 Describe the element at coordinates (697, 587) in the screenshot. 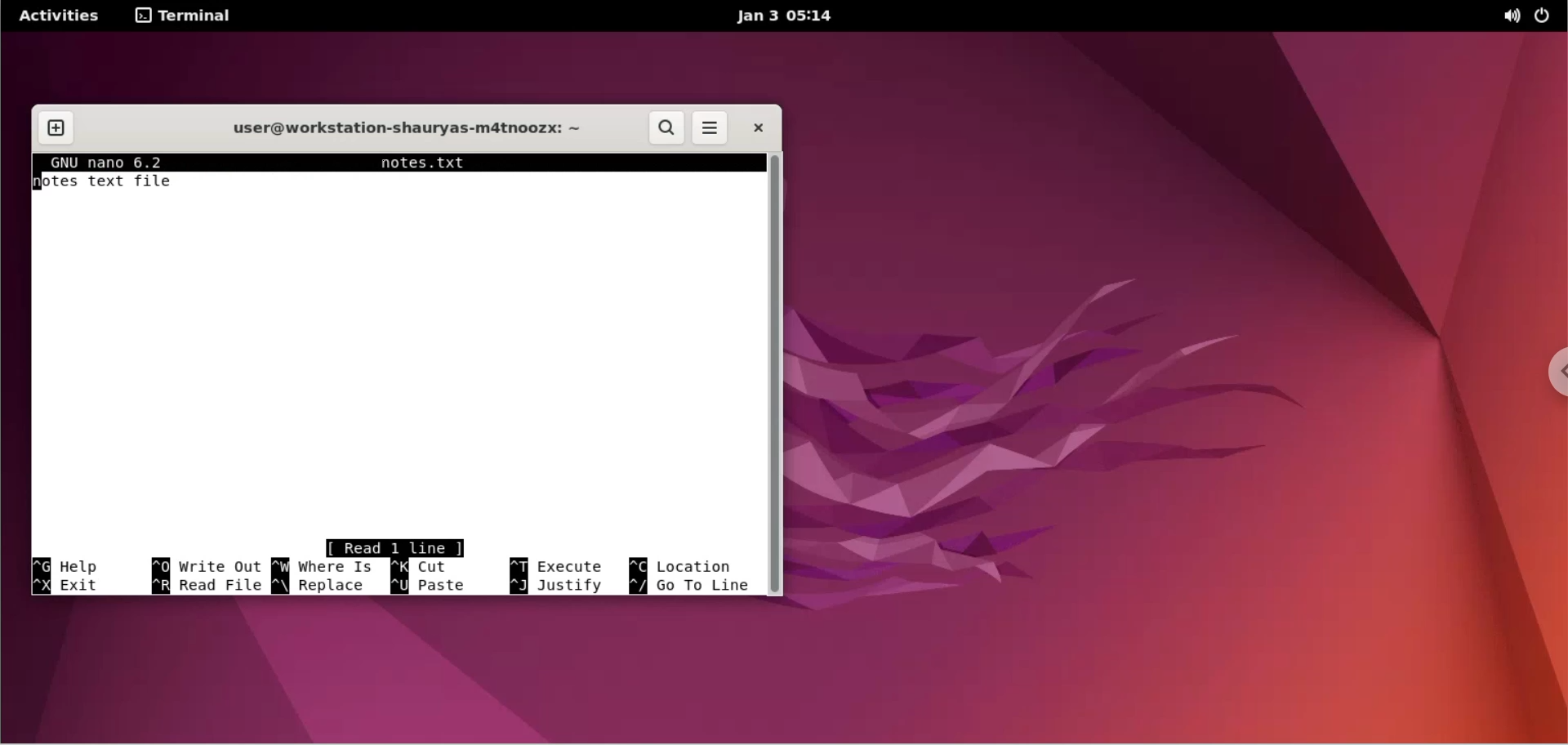

I see `^/ go to line` at that location.